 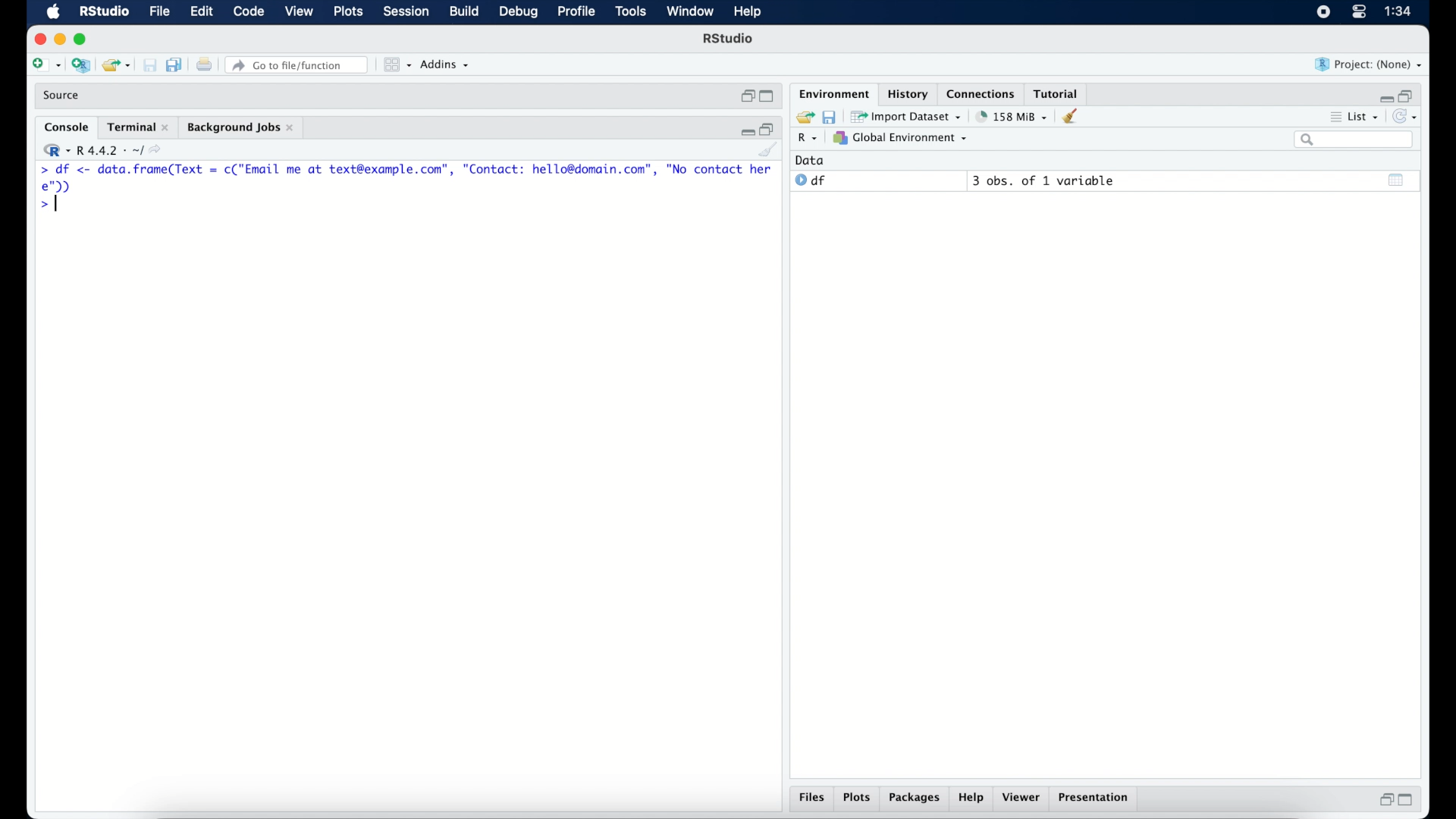 I want to click on R, so click(x=806, y=139).